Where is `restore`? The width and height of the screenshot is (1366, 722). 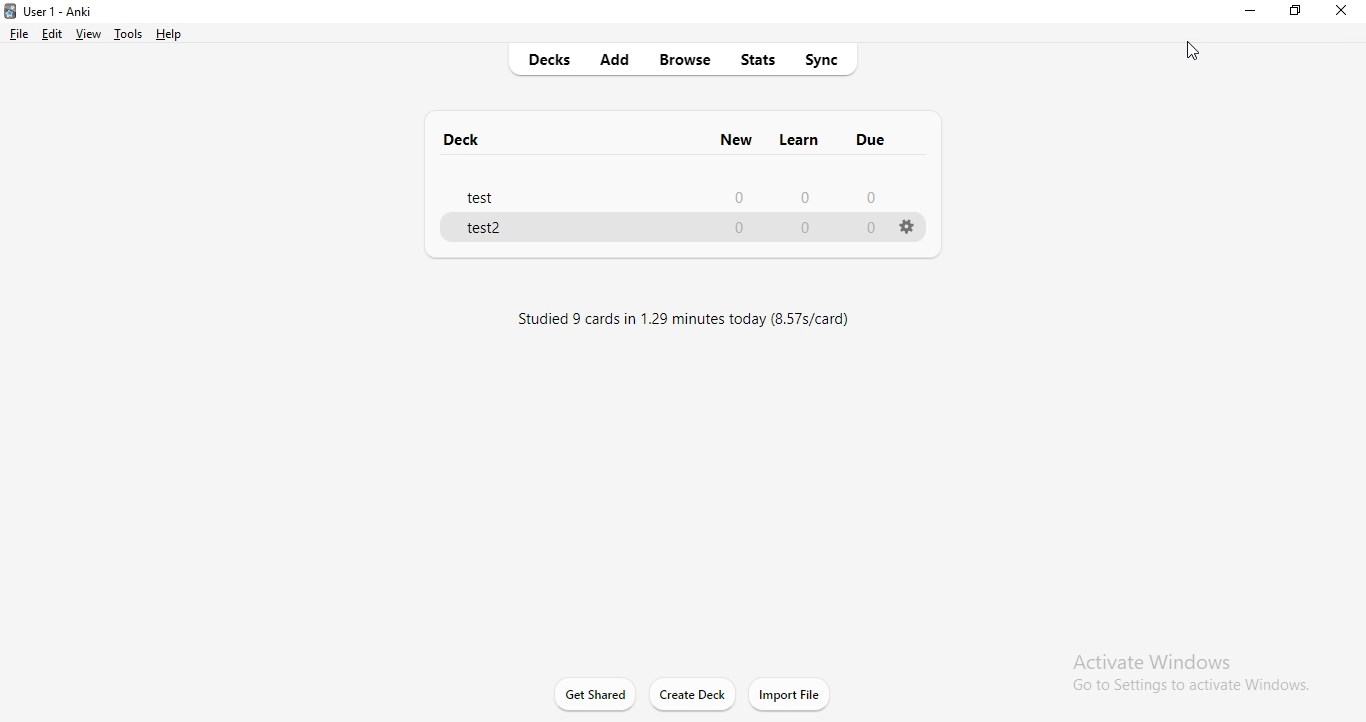 restore is located at coordinates (1297, 13).